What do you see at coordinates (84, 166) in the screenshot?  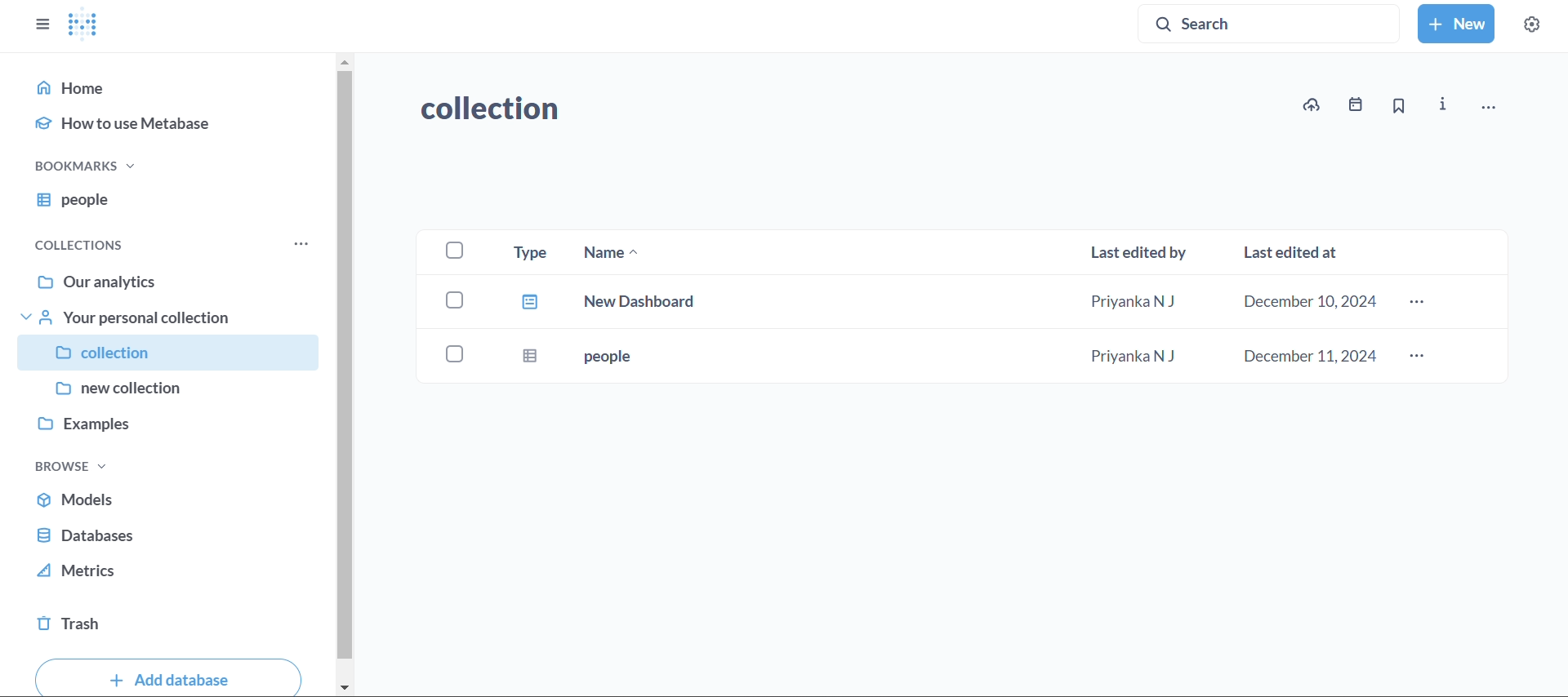 I see `bookmarks` at bounding box center [84, 166].